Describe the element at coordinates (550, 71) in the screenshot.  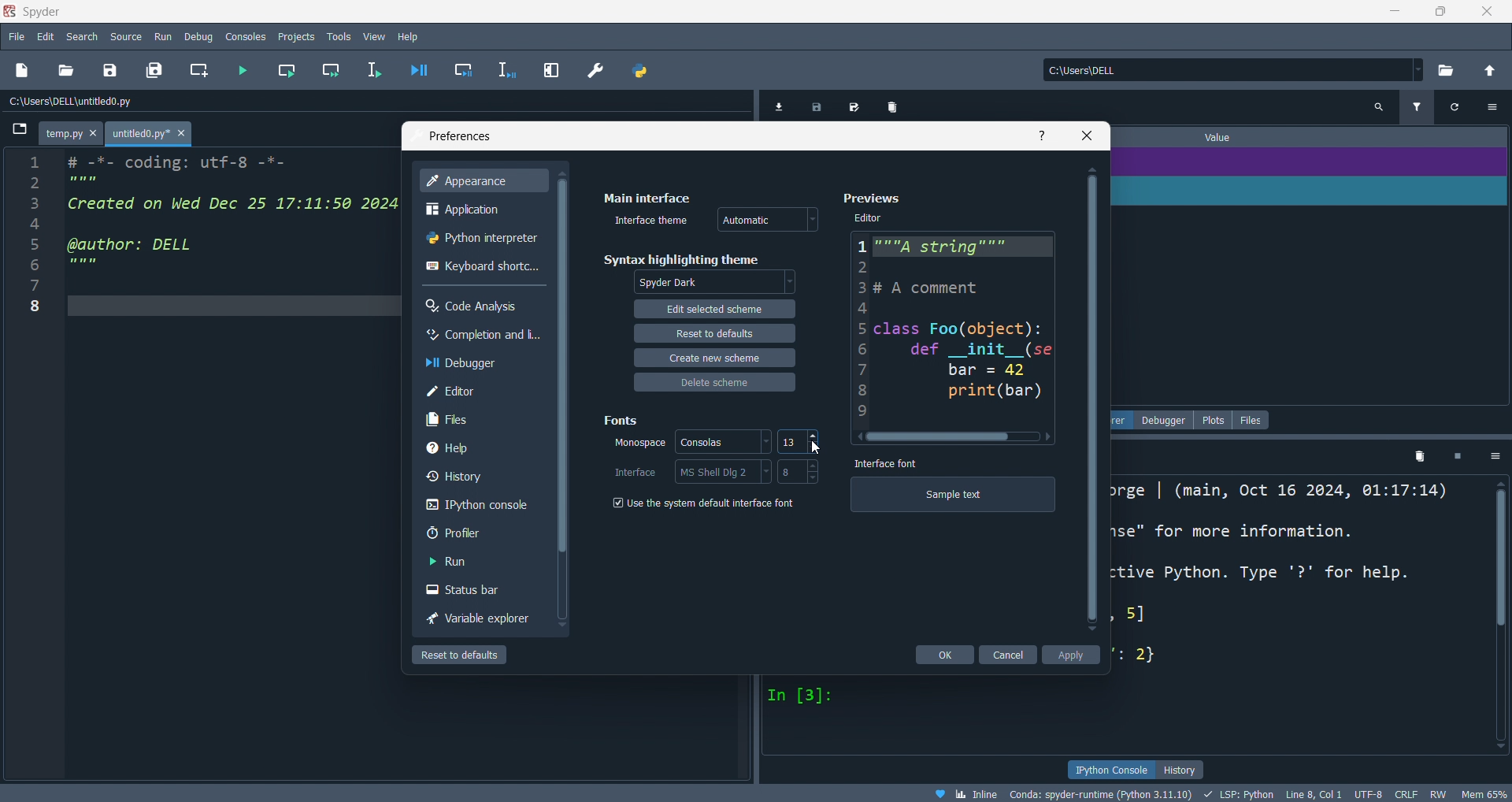
I see `expand pane` at that location.